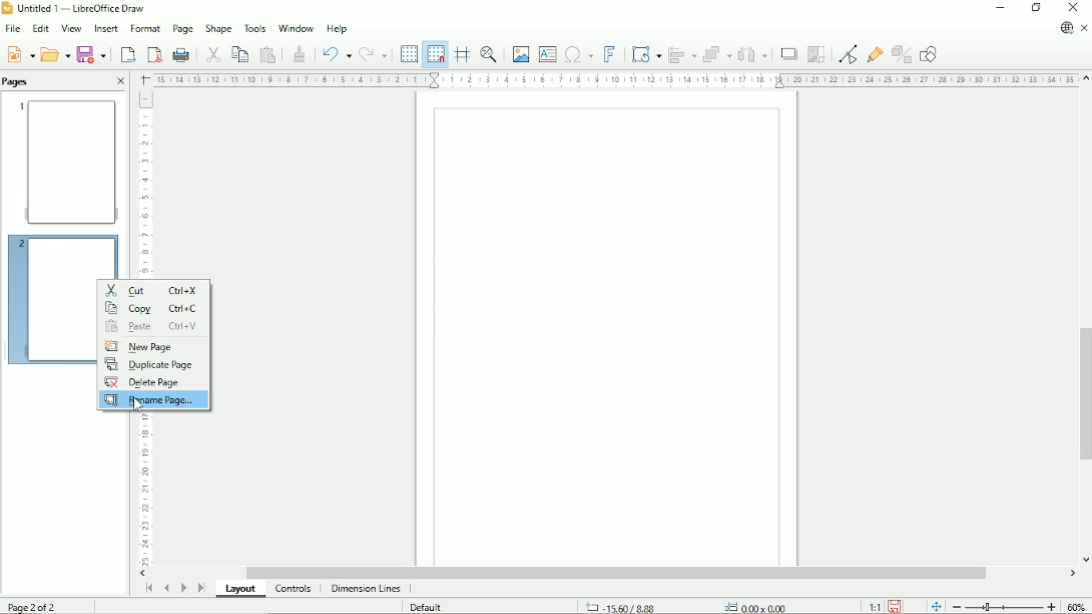 The image size is (1092, 614). What do you see at coordinates (578, 53) in the screenshot?
I see `Insert special character` at bounding box center [578, 53].